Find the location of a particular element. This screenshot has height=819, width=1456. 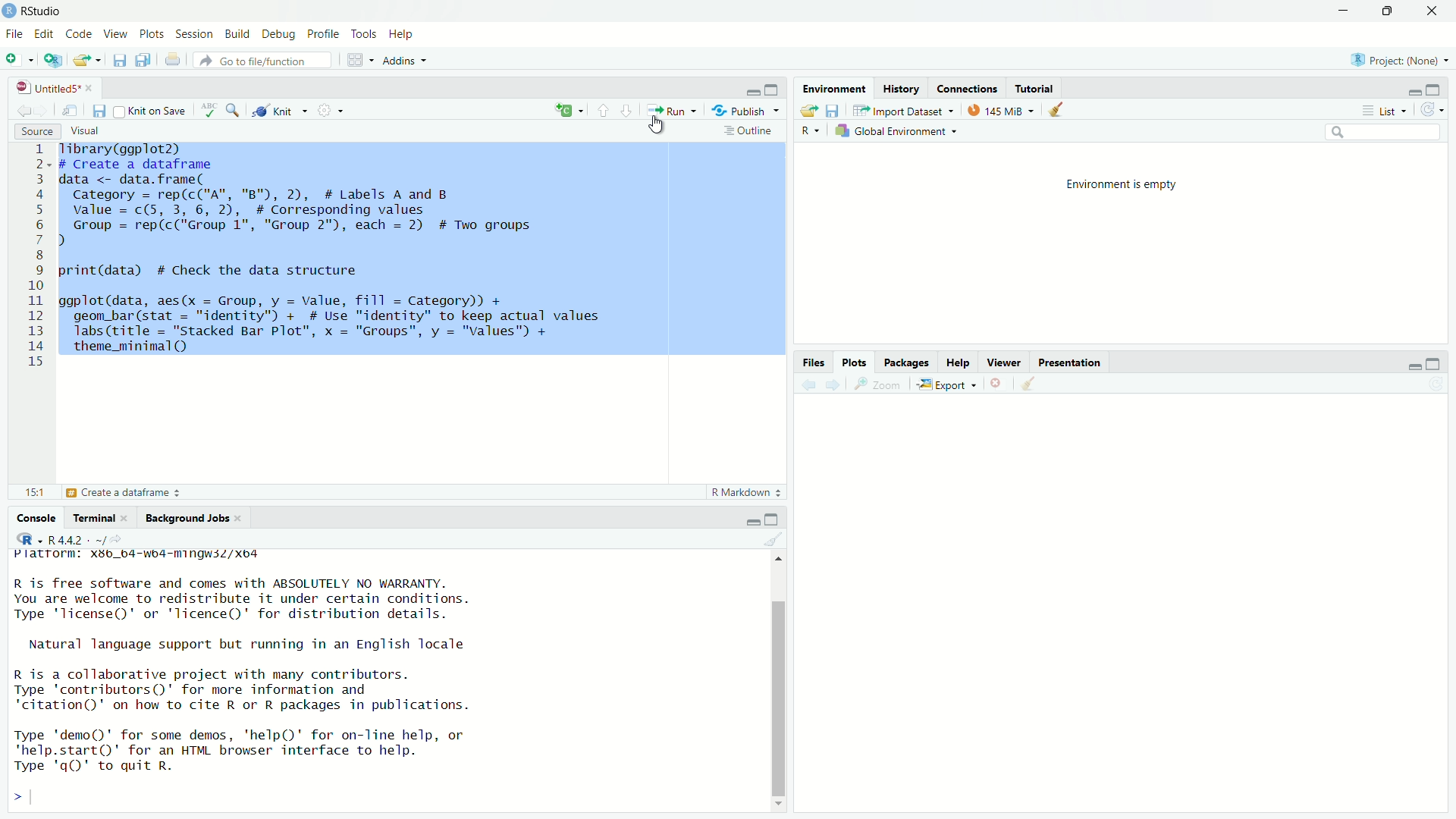

Search bar is located at coordinates (1372, 132).